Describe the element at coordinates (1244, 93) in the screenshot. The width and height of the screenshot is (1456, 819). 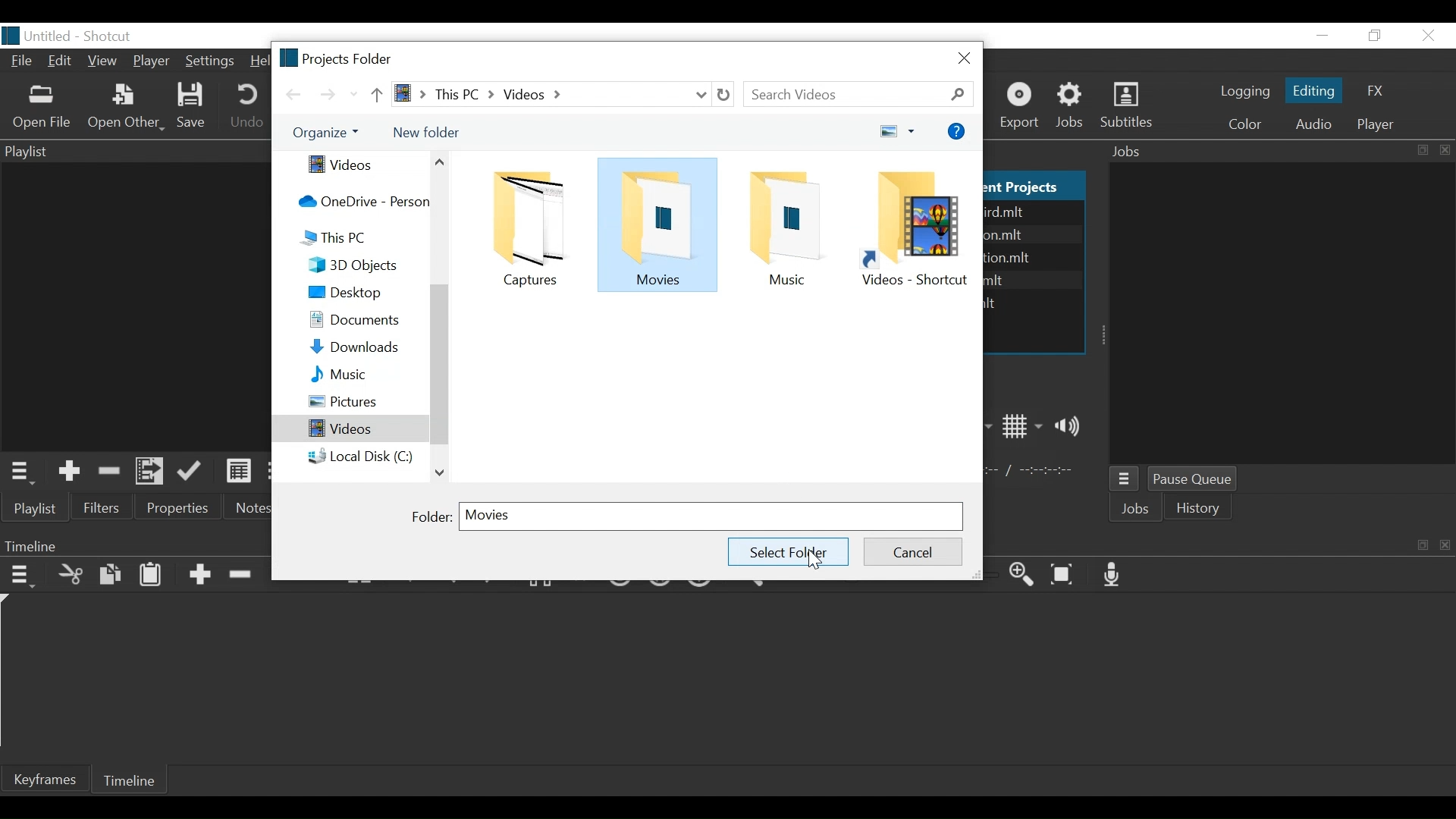
I see `logging` at that location.